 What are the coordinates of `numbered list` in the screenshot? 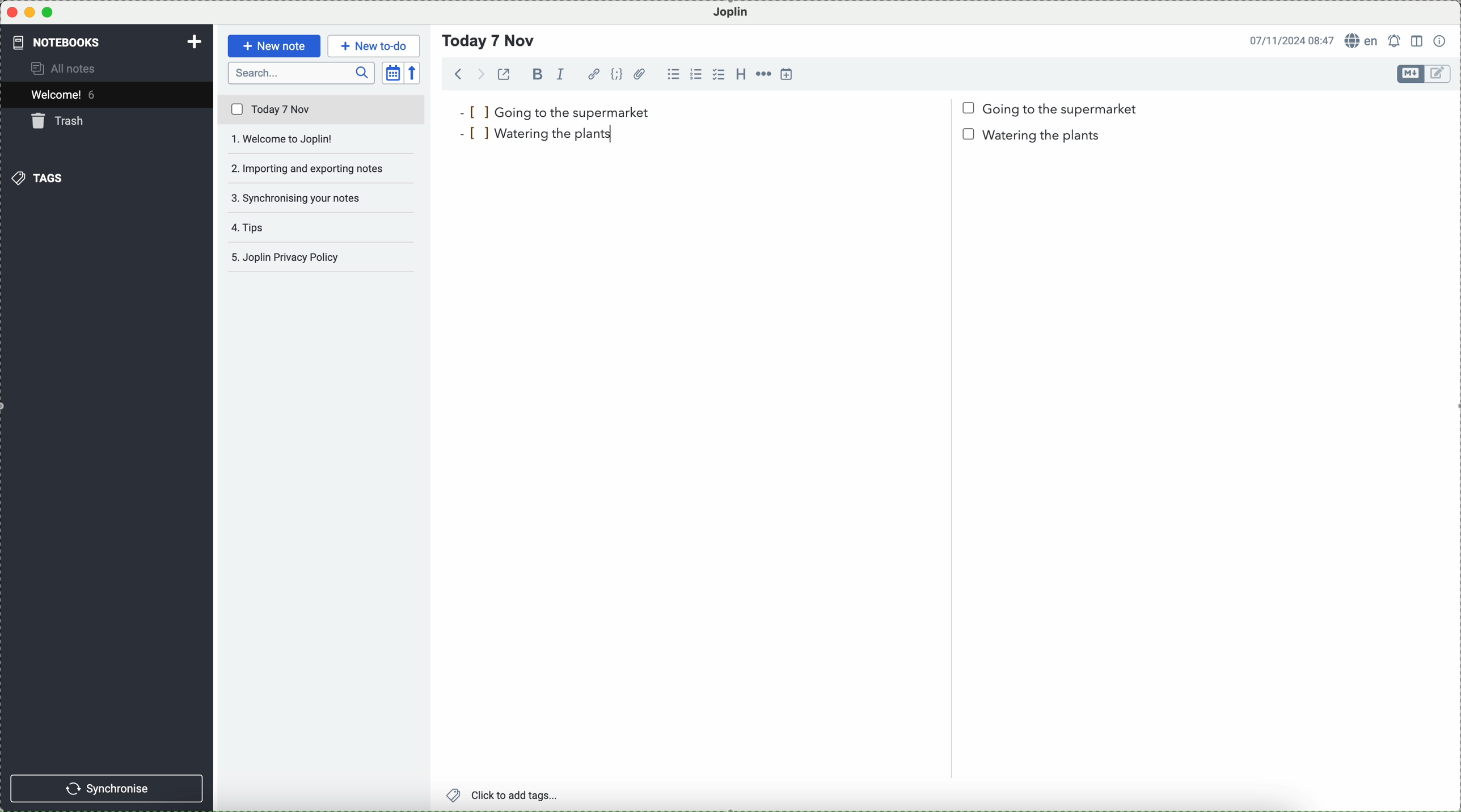 It's located at (696, 74).